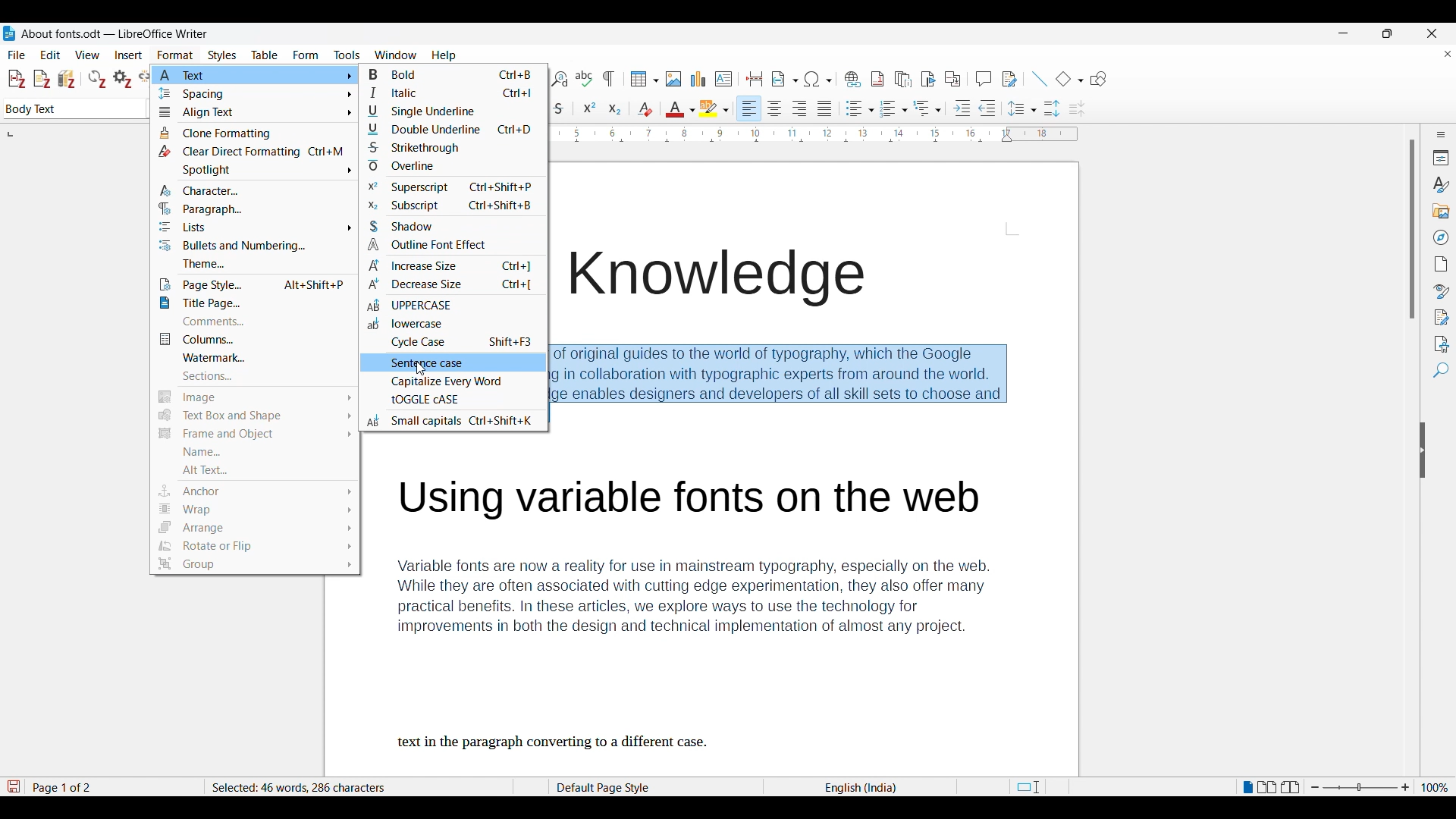 The height and width of the screenshot is (819, 1456). I want to click on spacing, so click(253, 96).